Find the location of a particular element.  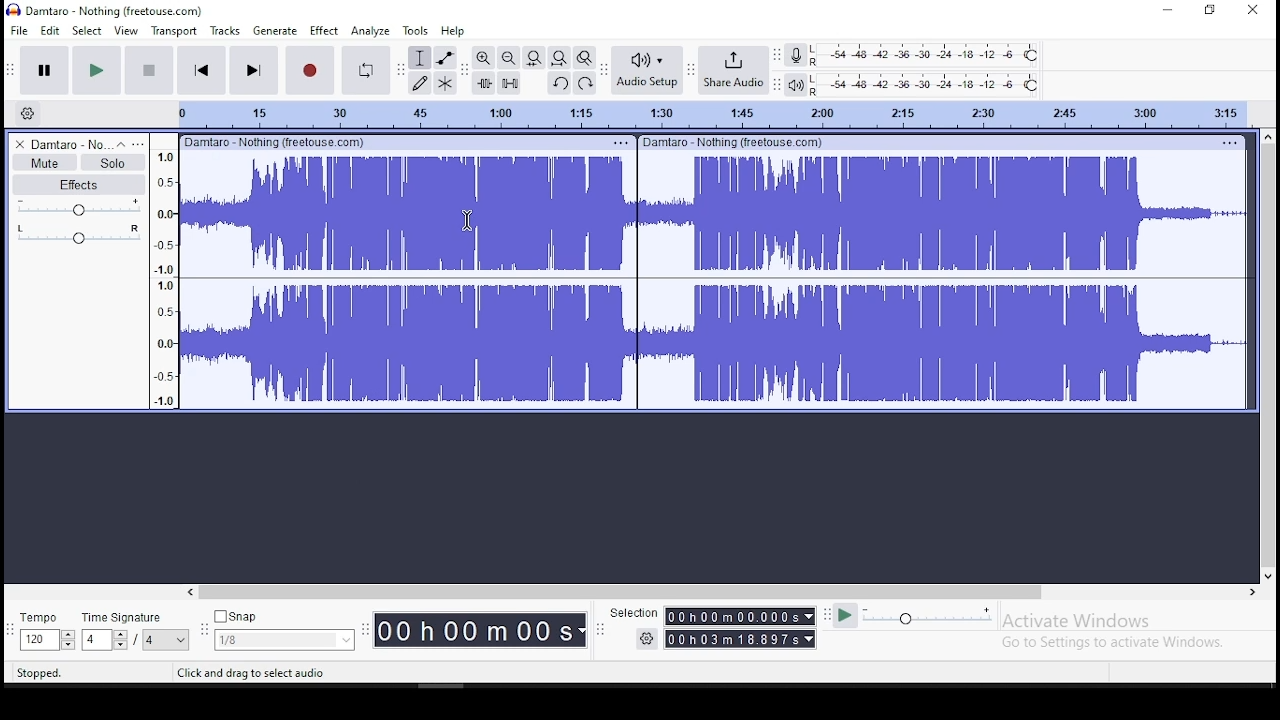

file is located at coordinates (18, 29).